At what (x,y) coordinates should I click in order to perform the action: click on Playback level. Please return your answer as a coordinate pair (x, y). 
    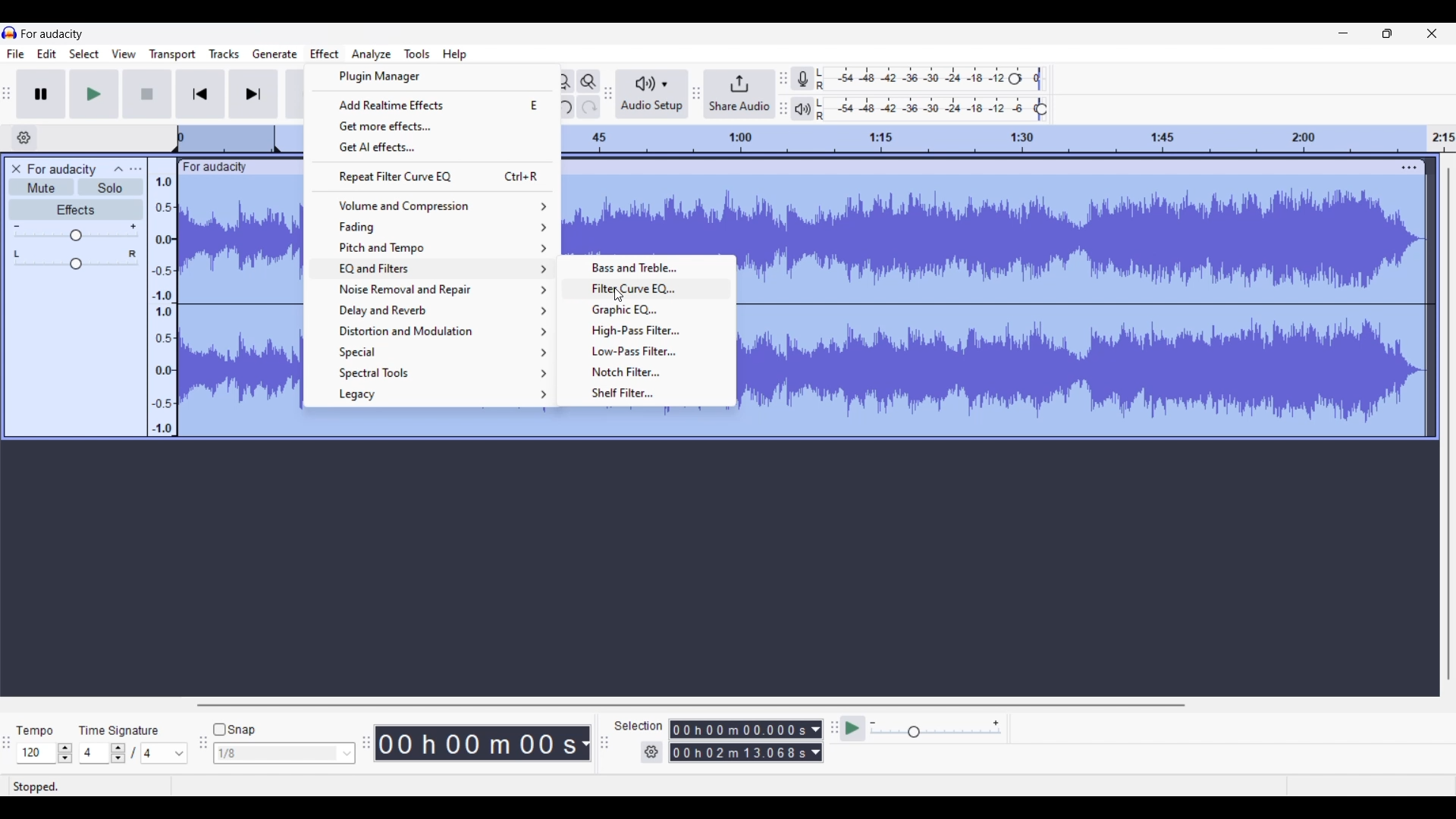
    Looking at the image, I should click on (929, 109).